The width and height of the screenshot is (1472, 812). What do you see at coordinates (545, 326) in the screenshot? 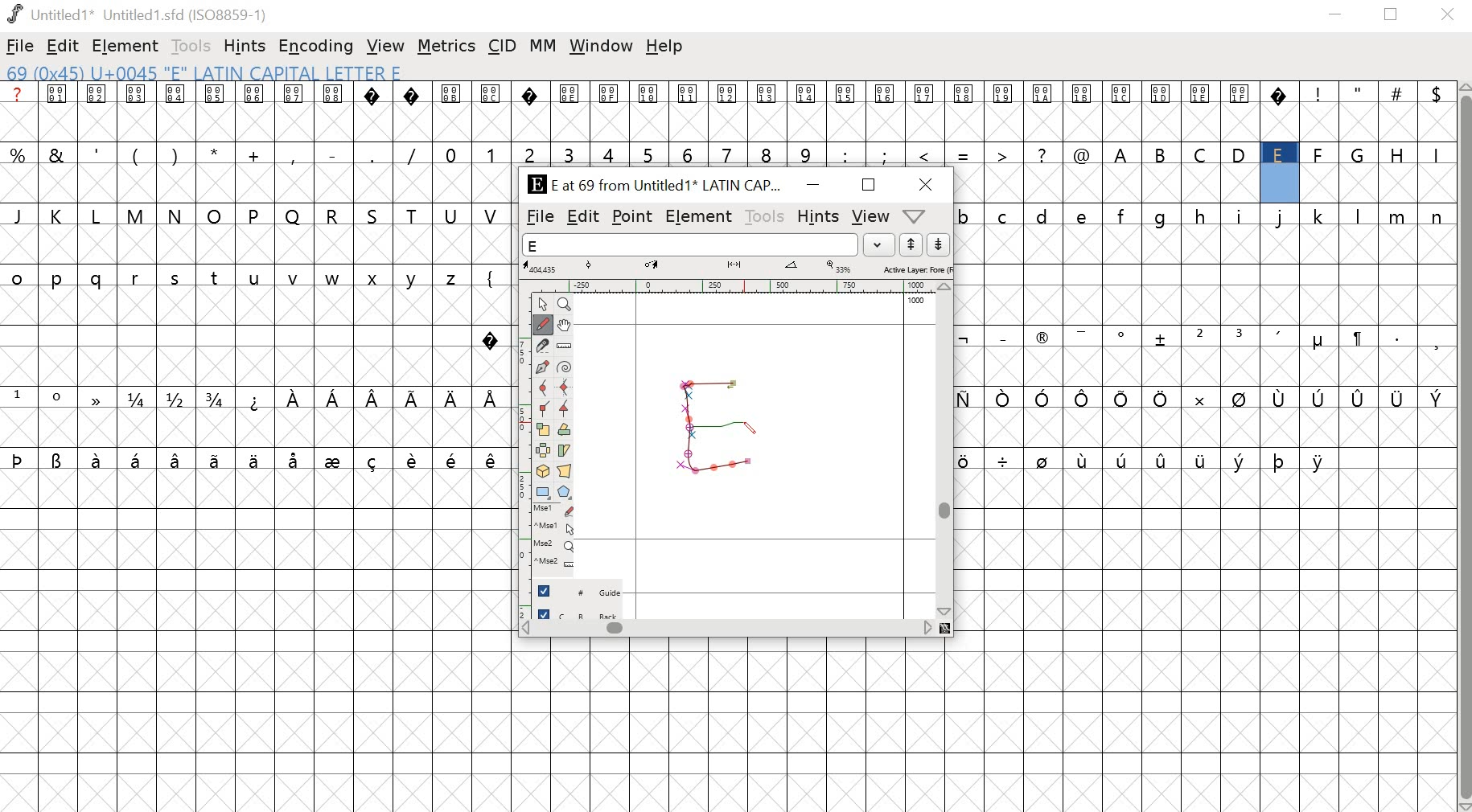
I see `Freehand` at bounding box center [545, 326].